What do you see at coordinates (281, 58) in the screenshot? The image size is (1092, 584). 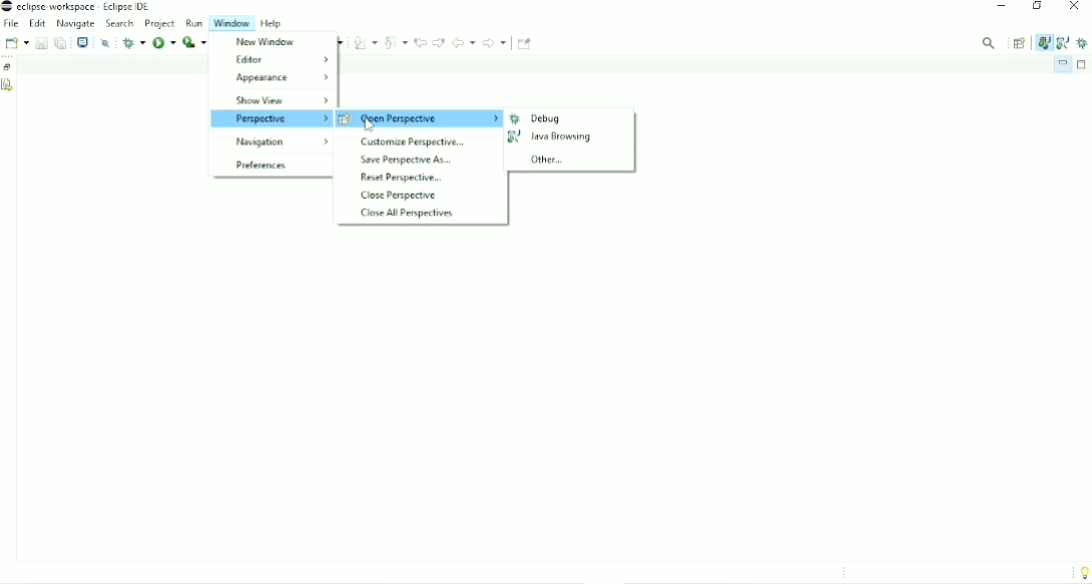 I see `Editor` at bounding box center [281, 58].